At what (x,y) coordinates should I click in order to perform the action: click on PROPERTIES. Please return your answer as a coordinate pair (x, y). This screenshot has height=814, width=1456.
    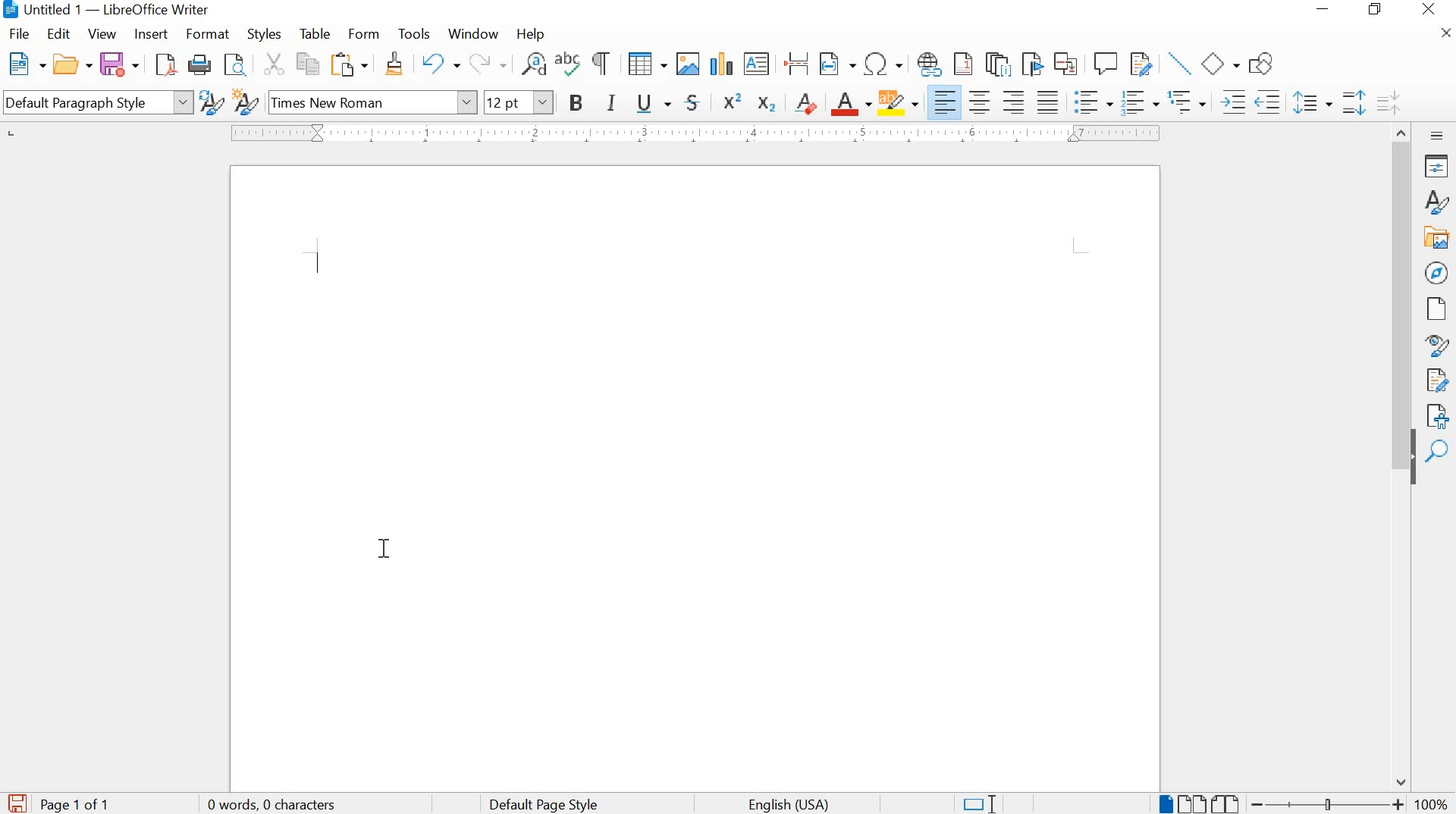
    Looking at the image, I should click on (1438, 167).